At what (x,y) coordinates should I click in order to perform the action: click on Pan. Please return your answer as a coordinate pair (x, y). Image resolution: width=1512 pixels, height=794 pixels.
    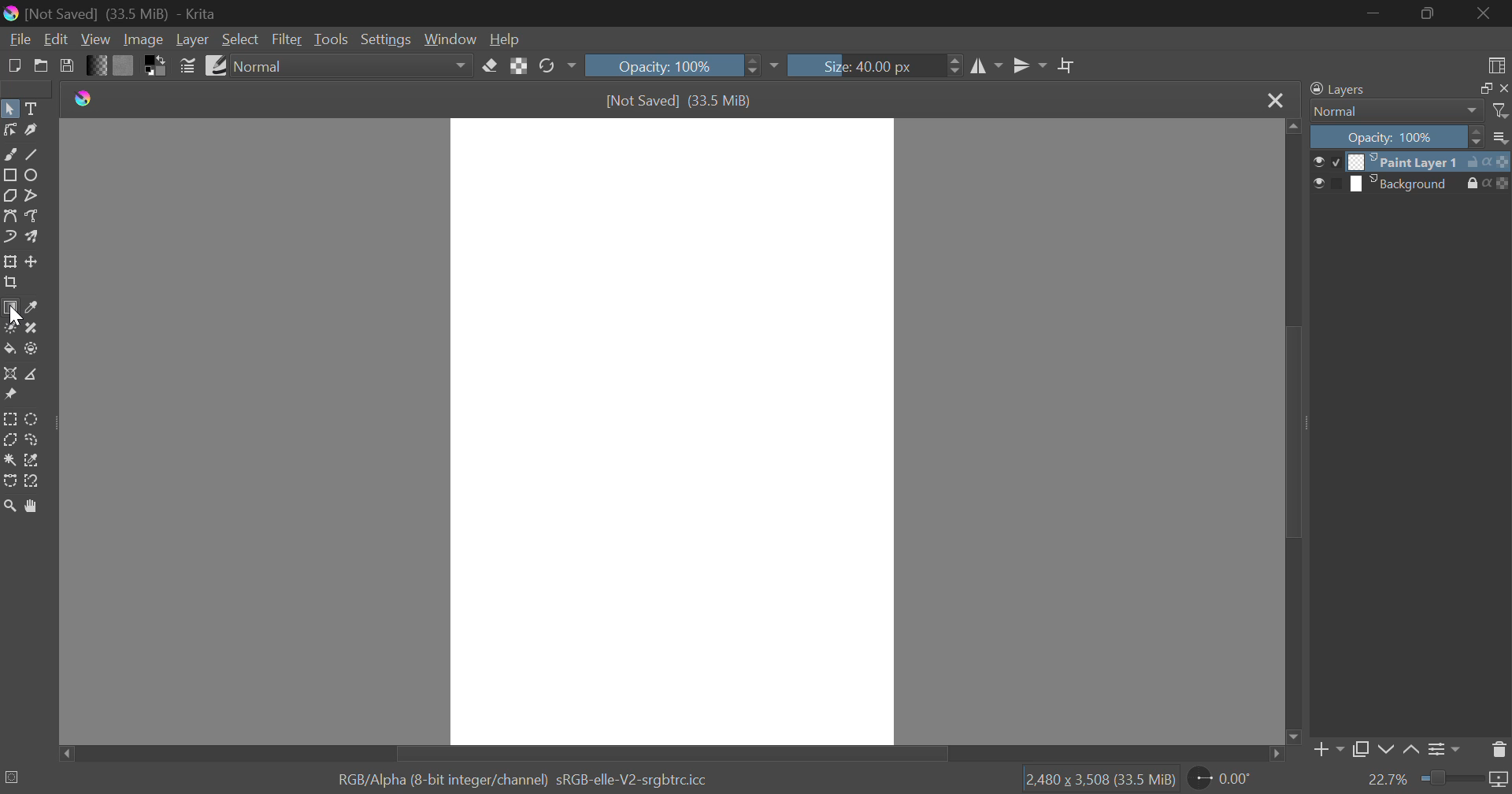
    Looking at the image, I should click on (30, 506).